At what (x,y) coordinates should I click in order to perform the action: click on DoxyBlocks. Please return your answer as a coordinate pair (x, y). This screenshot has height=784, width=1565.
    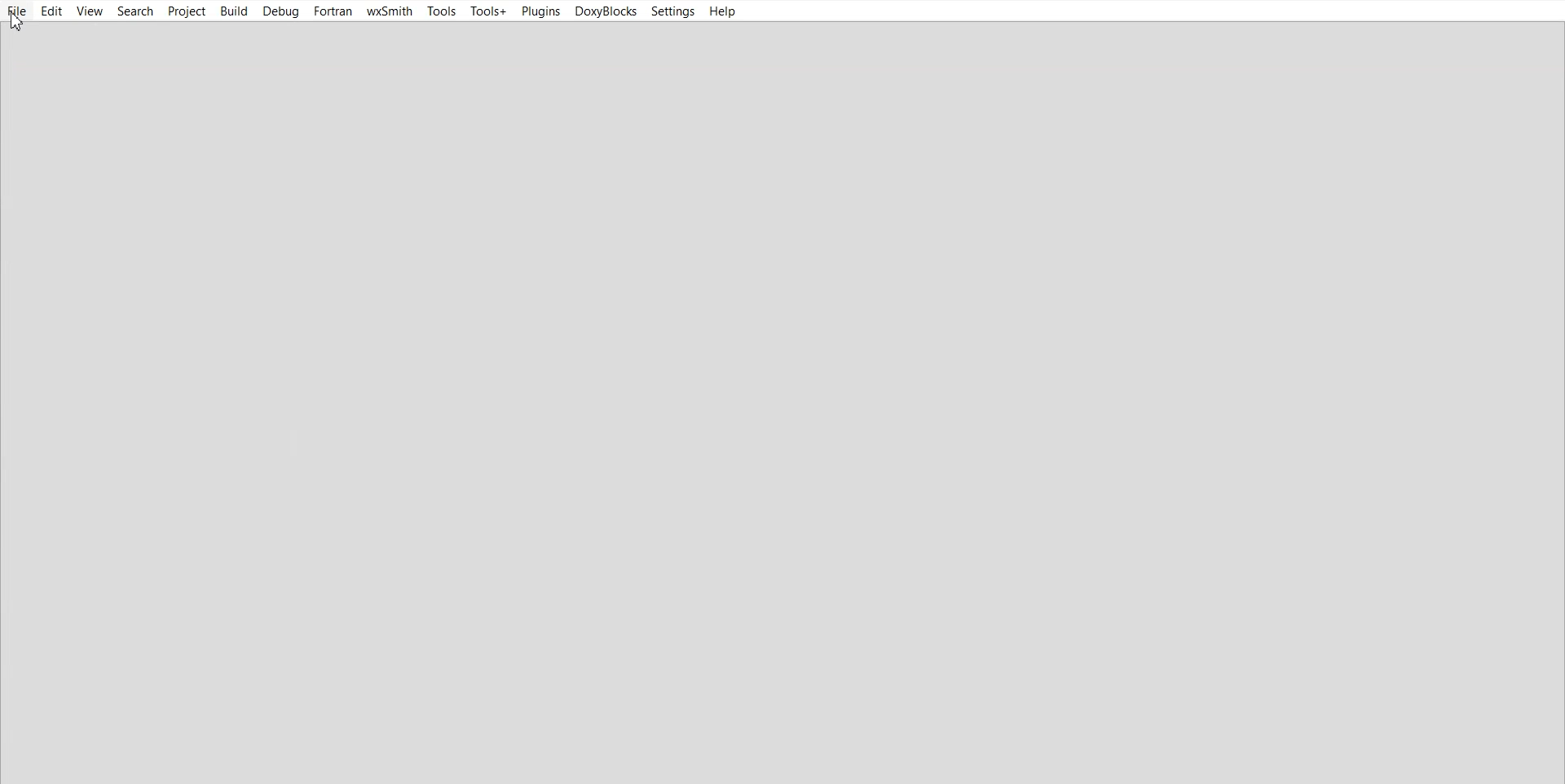
    Looking at the image, I should click on (604, 11).